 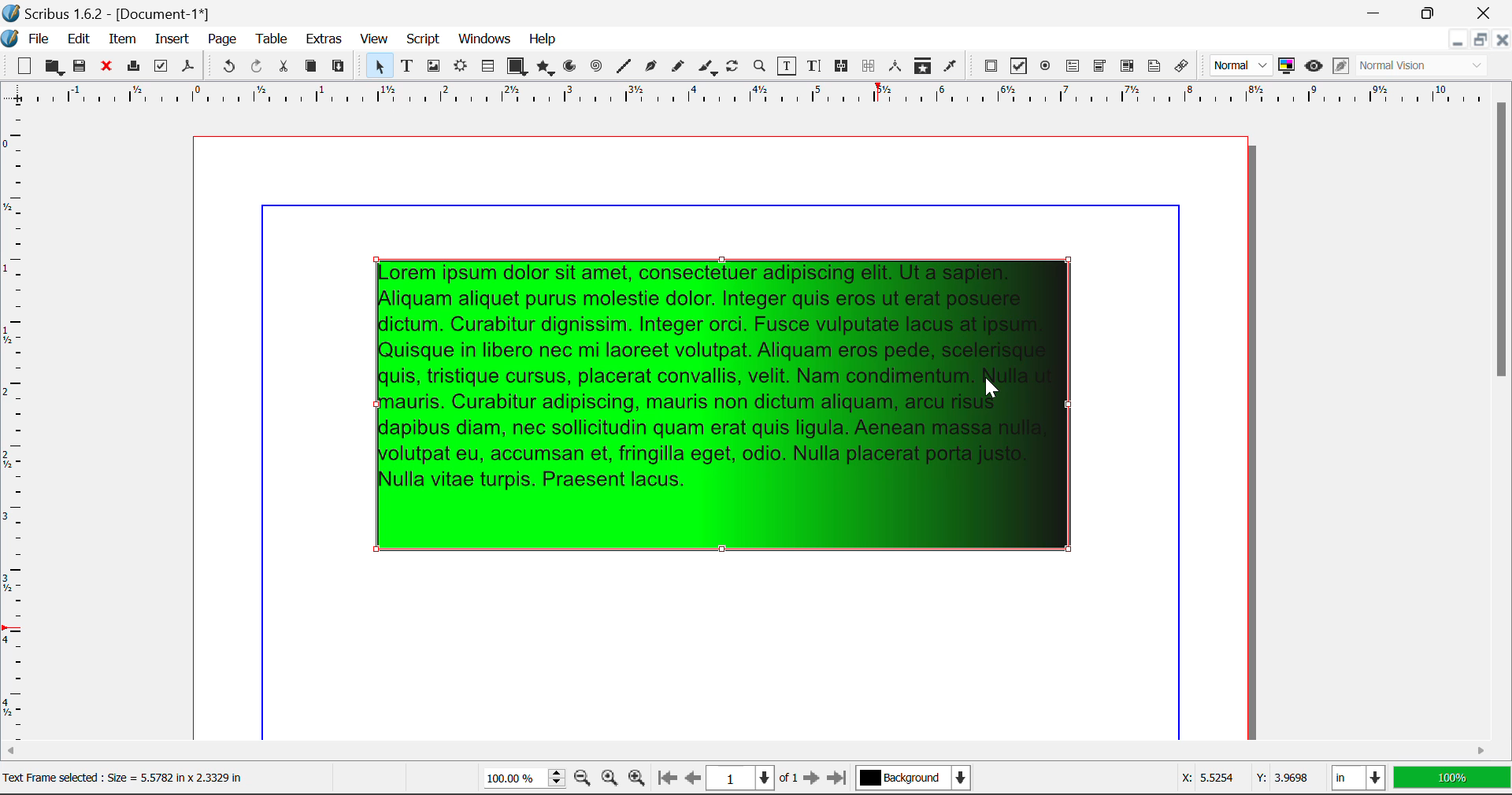 What do you see at coordinates (1314, 66) in the screenshot?
I see `Preview Mode` at bounding box center [1314, 66].